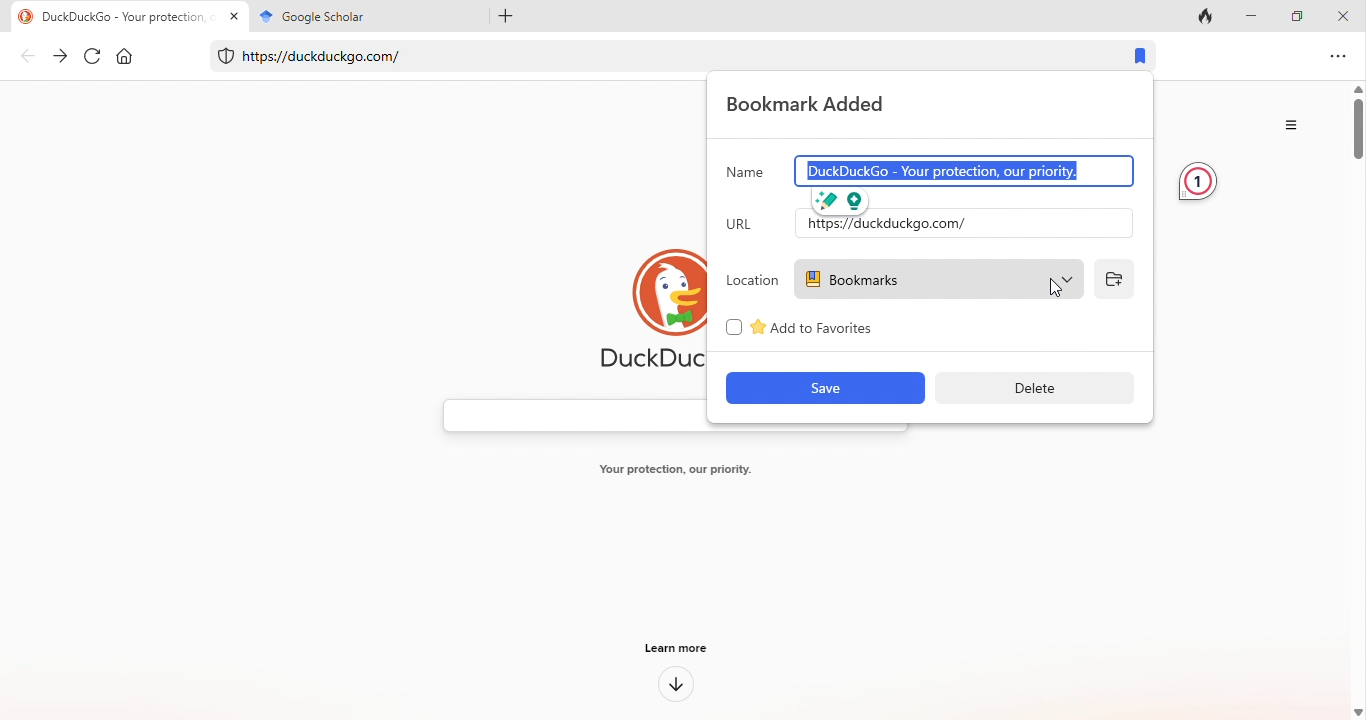 This screenshot has height=720, width=1366. Describe the element at coordinates (1301, 15) in the screenshot. I see `maximize` at that location.